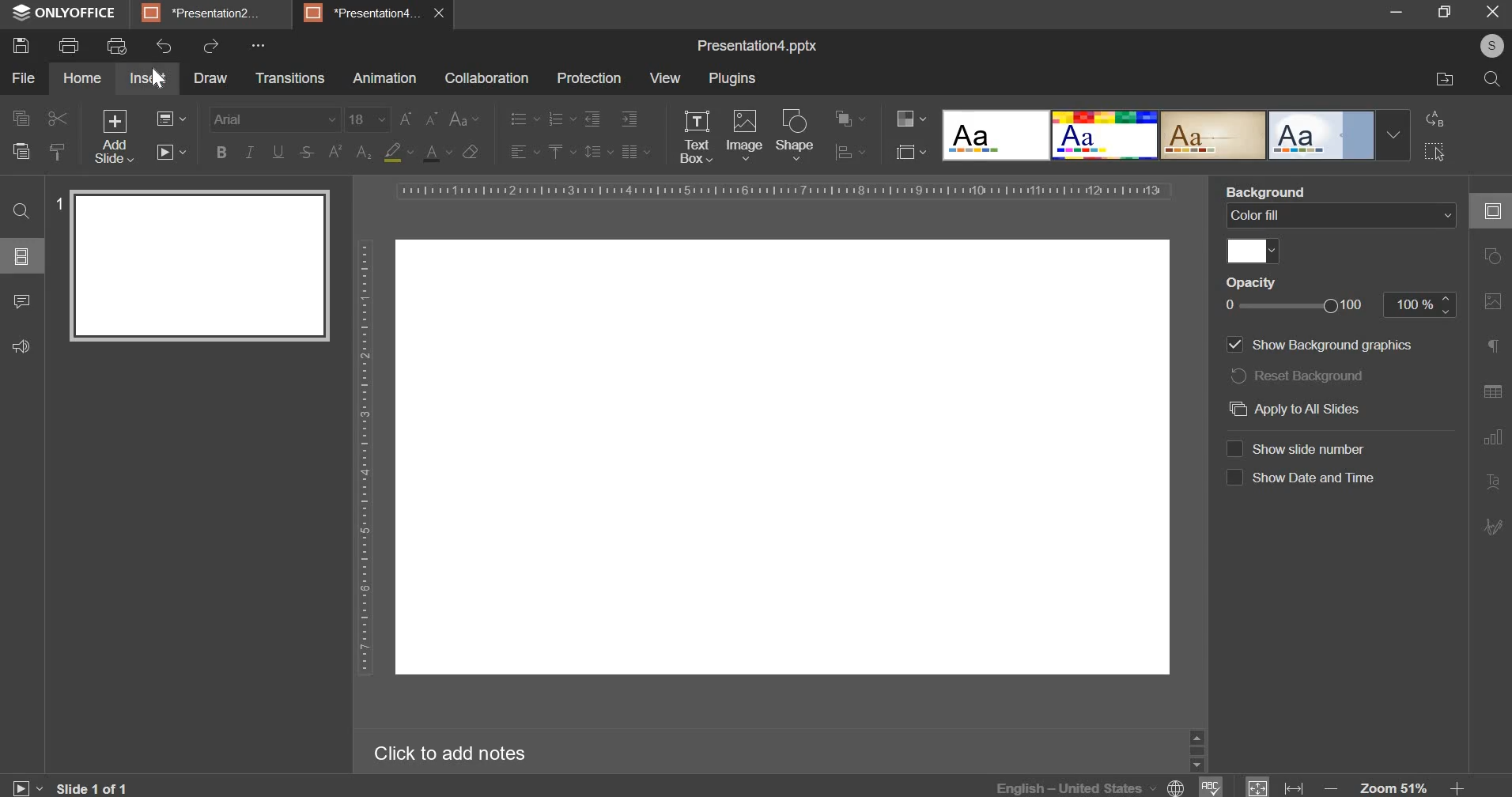  Describe the element at coordinates (745, 135) in the screenshot. I see `image` at that location.